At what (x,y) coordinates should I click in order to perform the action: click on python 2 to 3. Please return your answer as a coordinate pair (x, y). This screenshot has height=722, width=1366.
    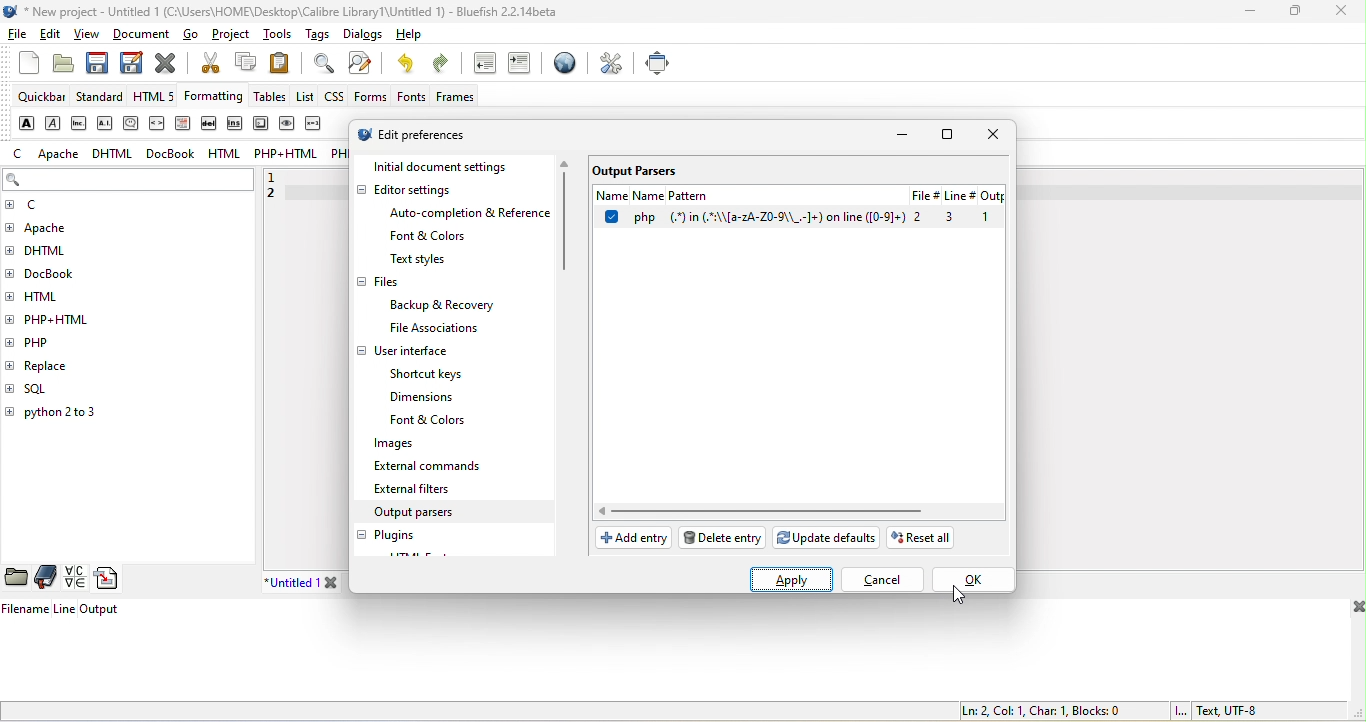
    Looking at the image, I should click on (73, 415).